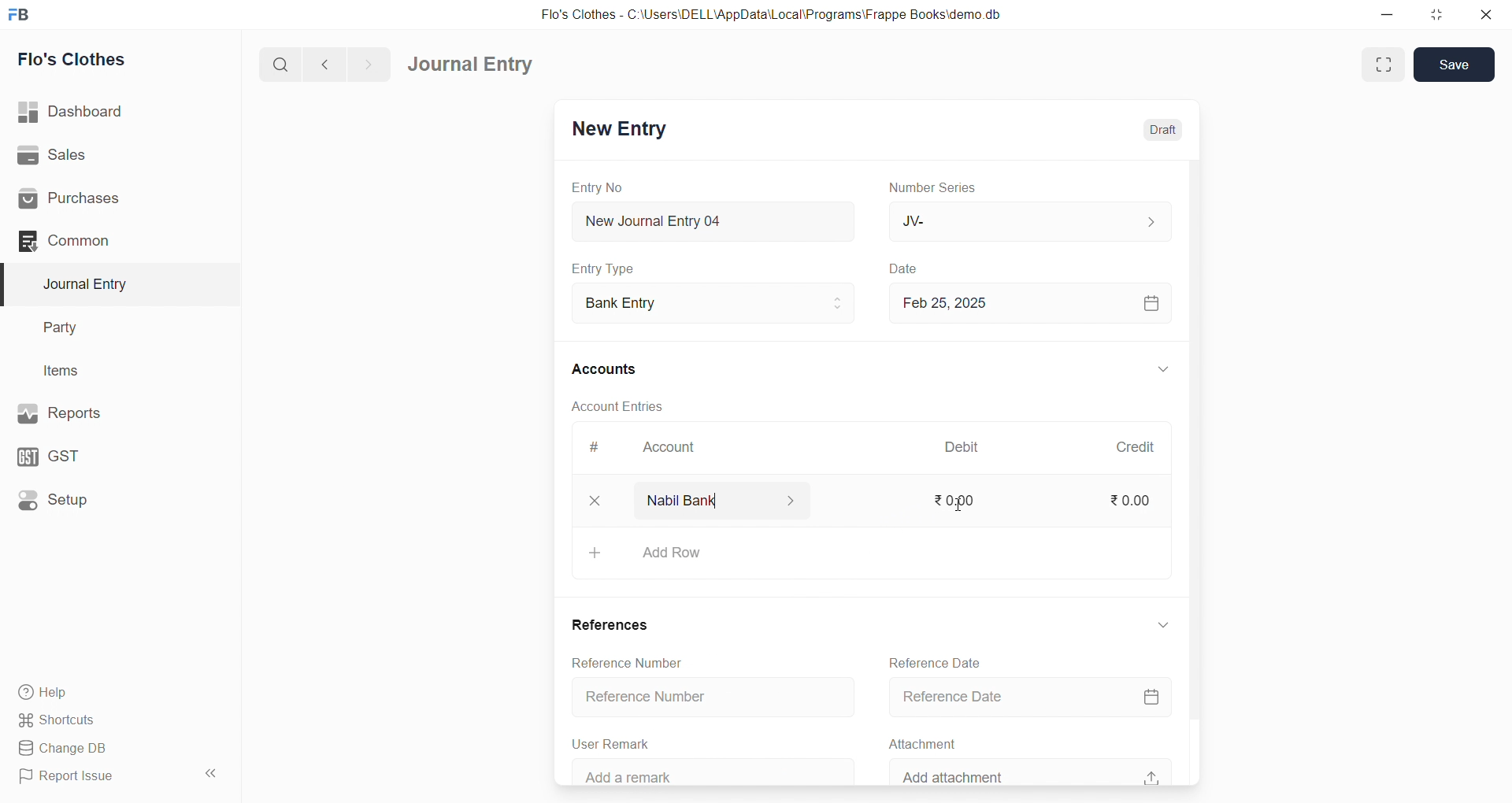 The image size is (1512, 803). What do you see at coordinates (712, 304) in the screenshot?
I see `Bank Entry` at bounding box center [712, 304].